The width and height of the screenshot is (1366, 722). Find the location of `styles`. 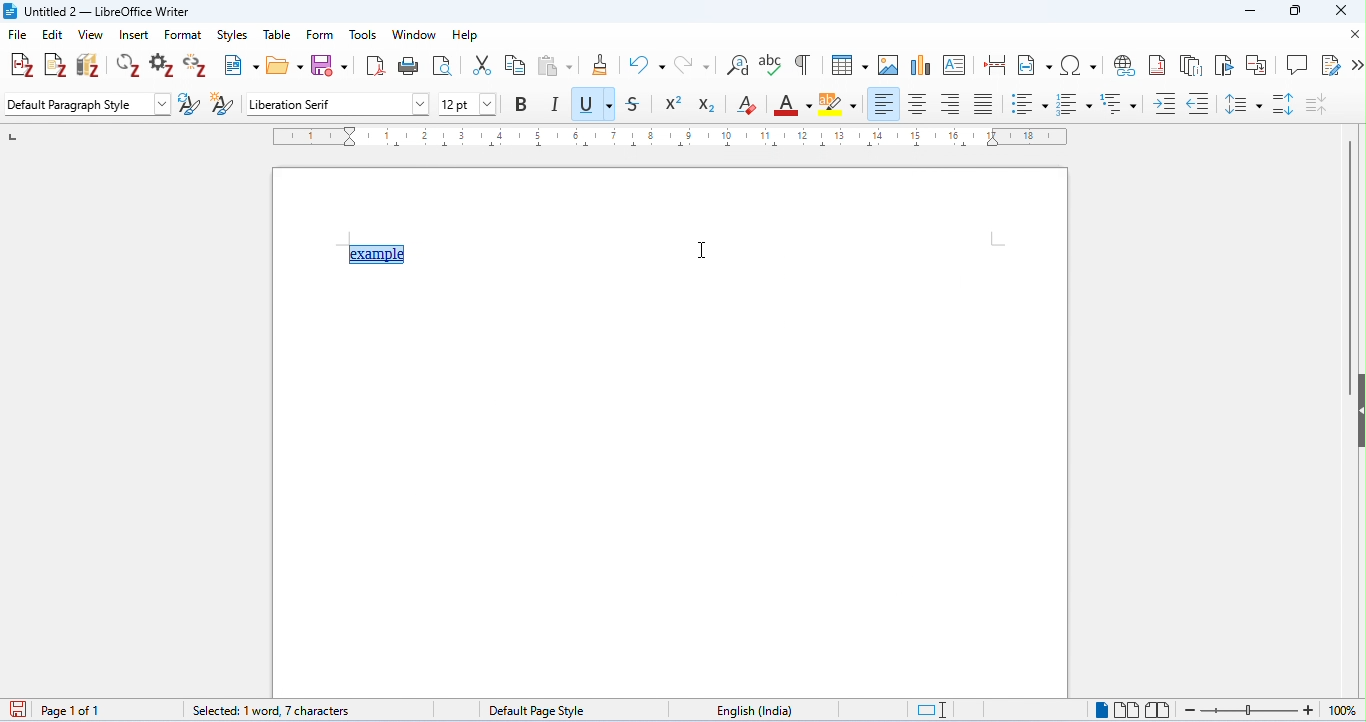

styles is located at coordinates (232, 35).